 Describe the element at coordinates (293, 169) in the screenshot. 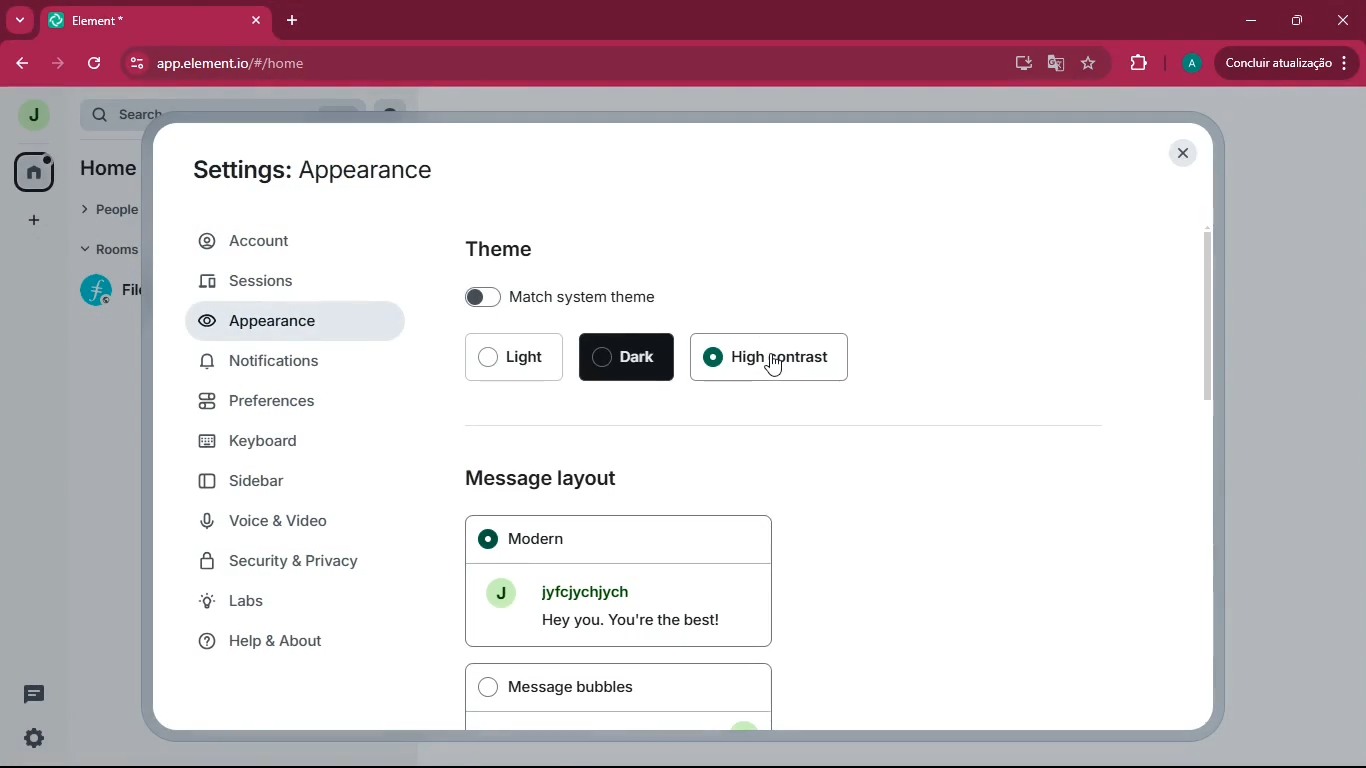

I see `Settings: Account` at that location.